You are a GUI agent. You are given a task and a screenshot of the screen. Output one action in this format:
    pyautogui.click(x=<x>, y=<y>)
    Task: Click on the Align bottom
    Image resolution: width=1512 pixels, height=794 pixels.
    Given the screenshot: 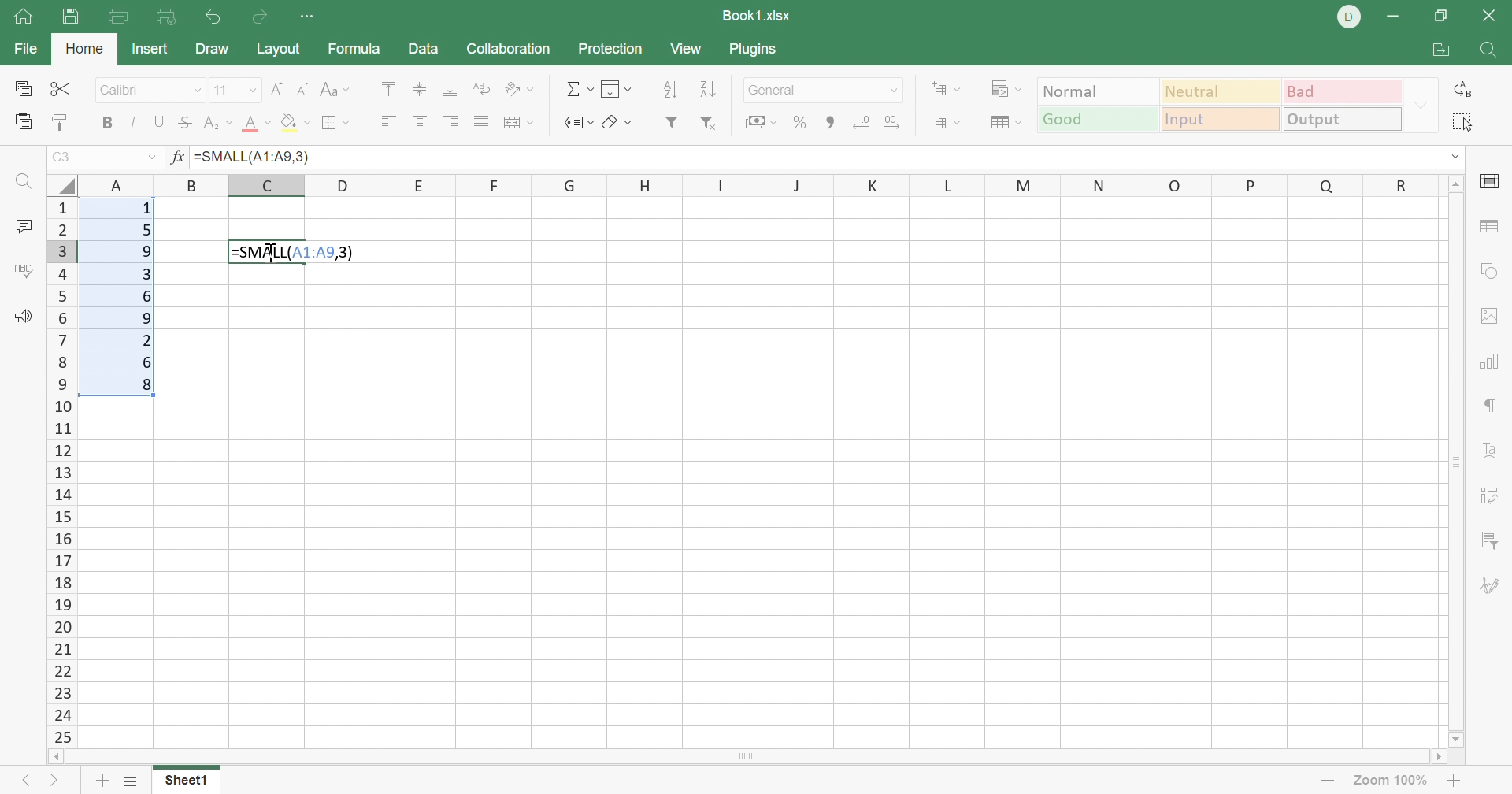 What is the action you would take?
    pyautogui.click(x=454, y=89)
    